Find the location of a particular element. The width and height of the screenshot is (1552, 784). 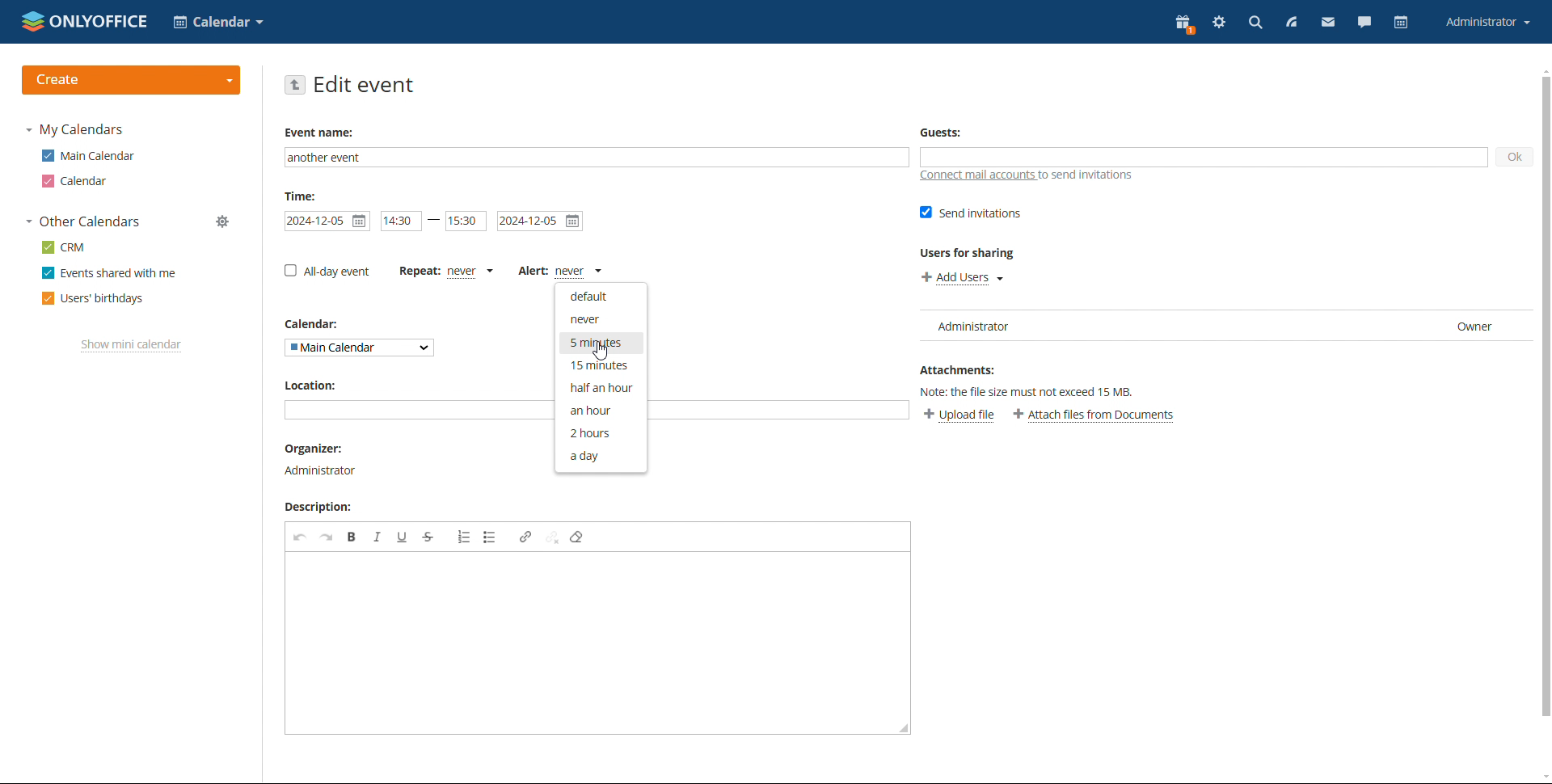

create is located at coordinates (132, 80).